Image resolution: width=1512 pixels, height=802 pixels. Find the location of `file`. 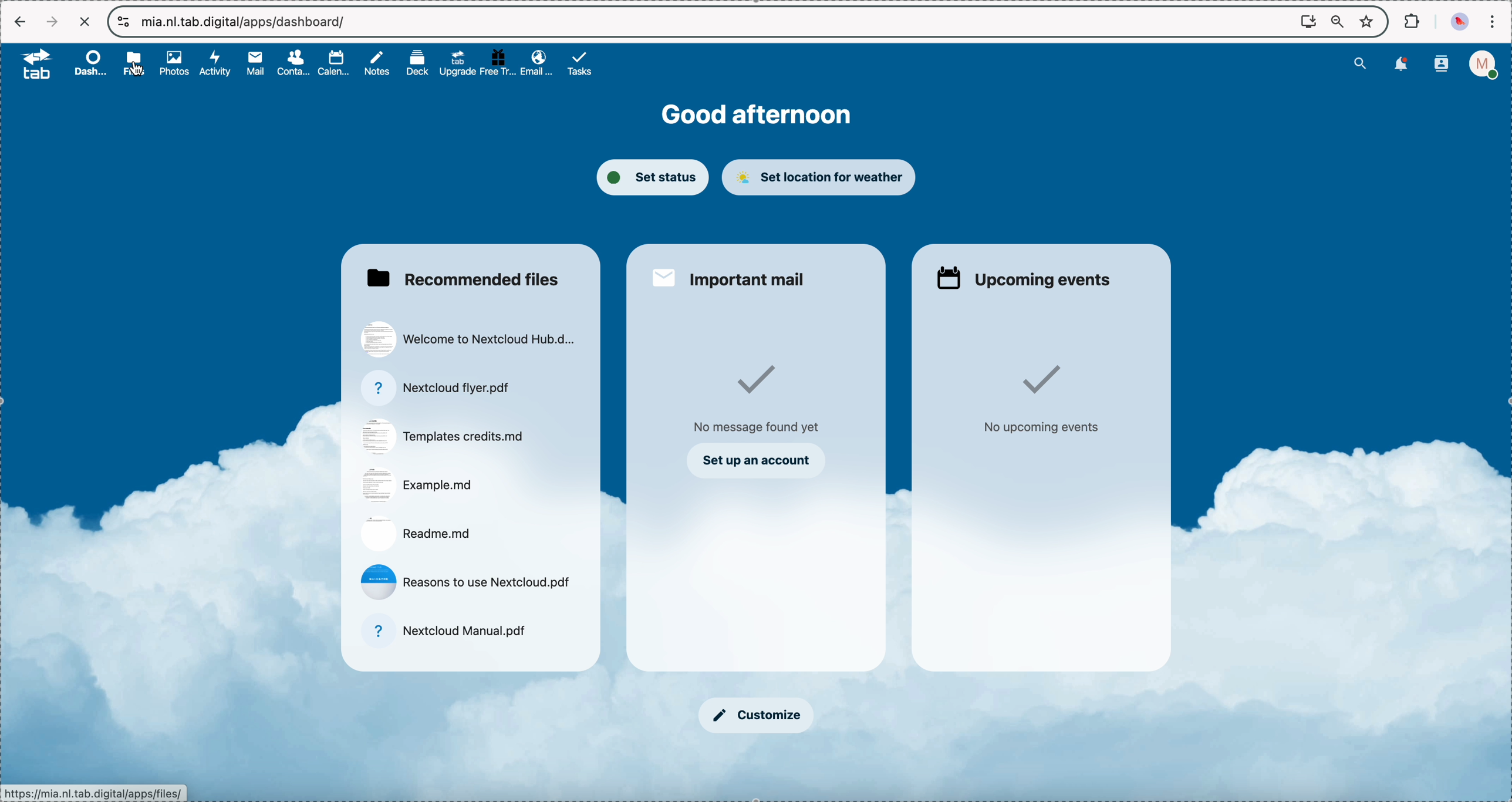

file is located at coordinates (415, 533).